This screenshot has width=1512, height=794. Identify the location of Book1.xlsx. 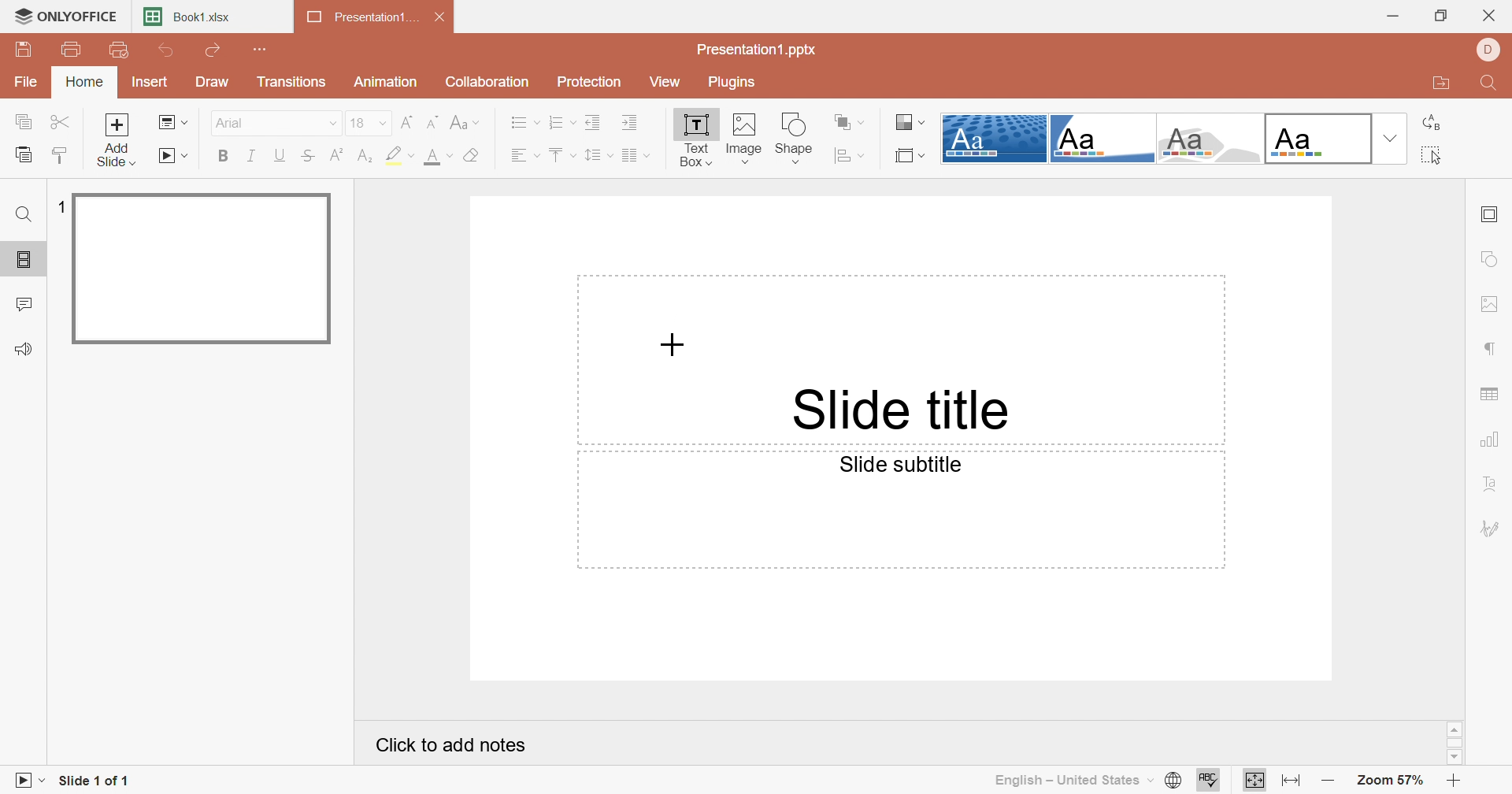
(187, 16).